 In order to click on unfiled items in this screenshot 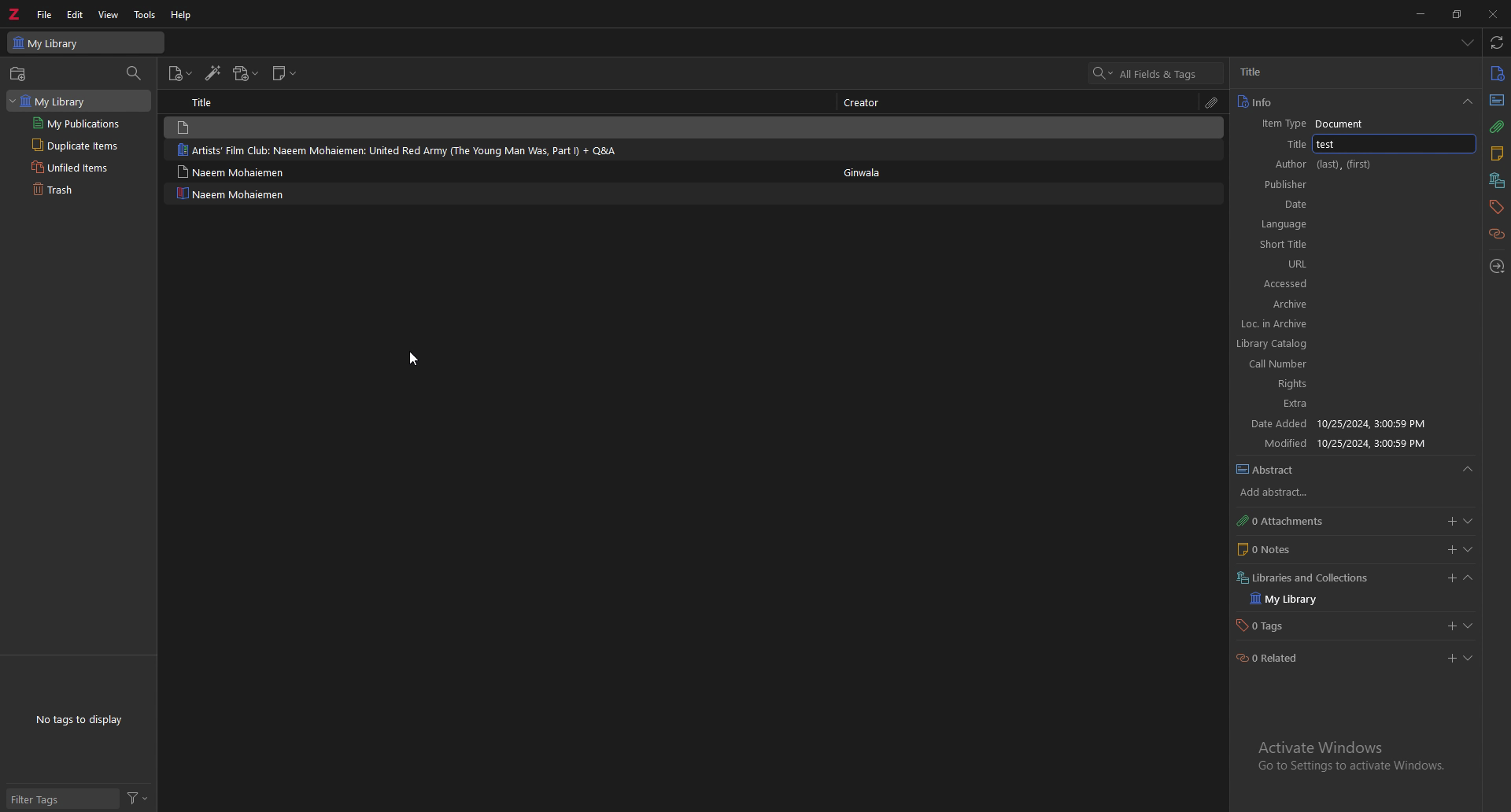, I will do `click(73, 168)`.